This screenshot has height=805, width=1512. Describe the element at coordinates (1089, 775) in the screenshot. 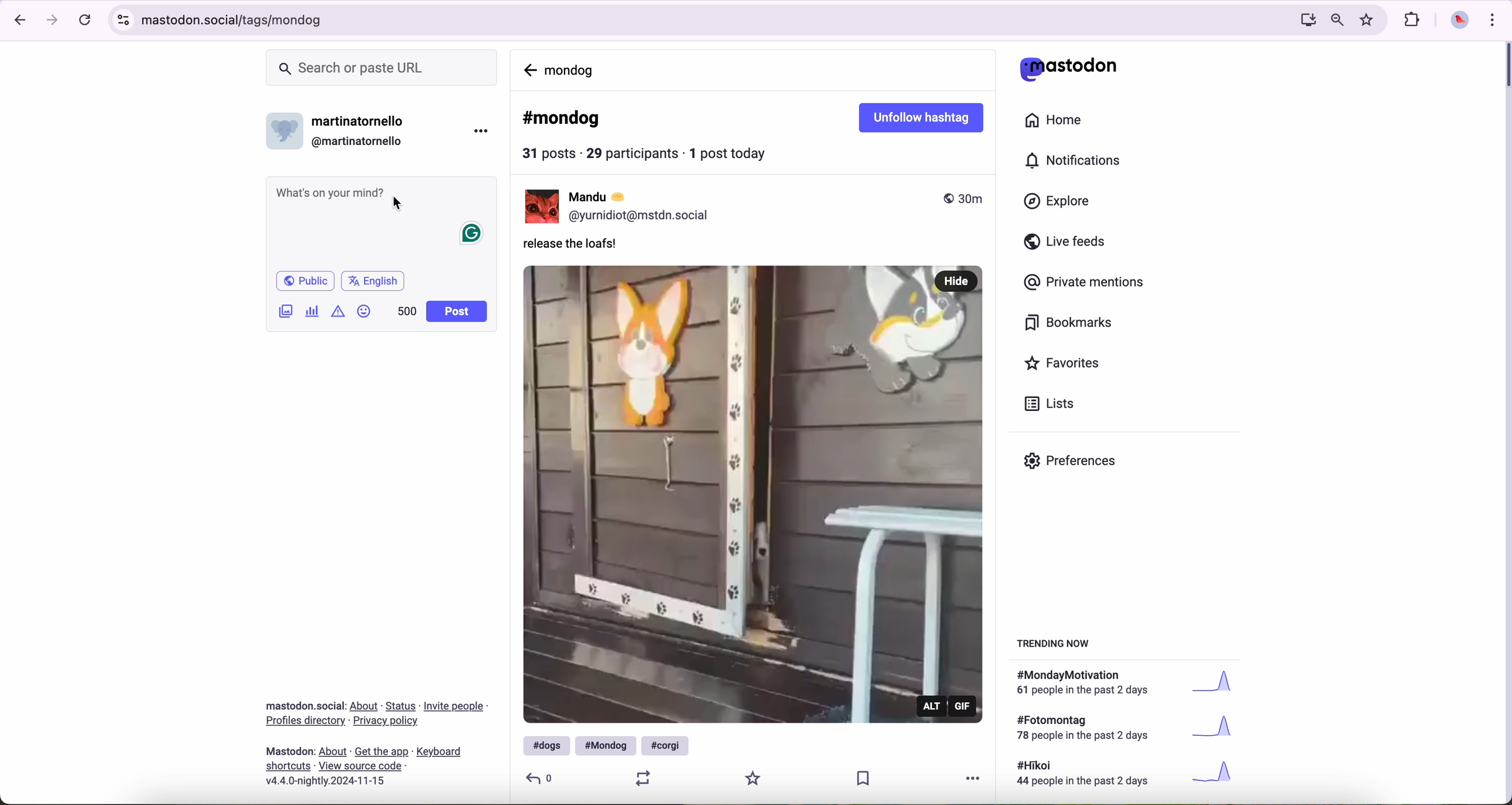

I see `text` at that location.